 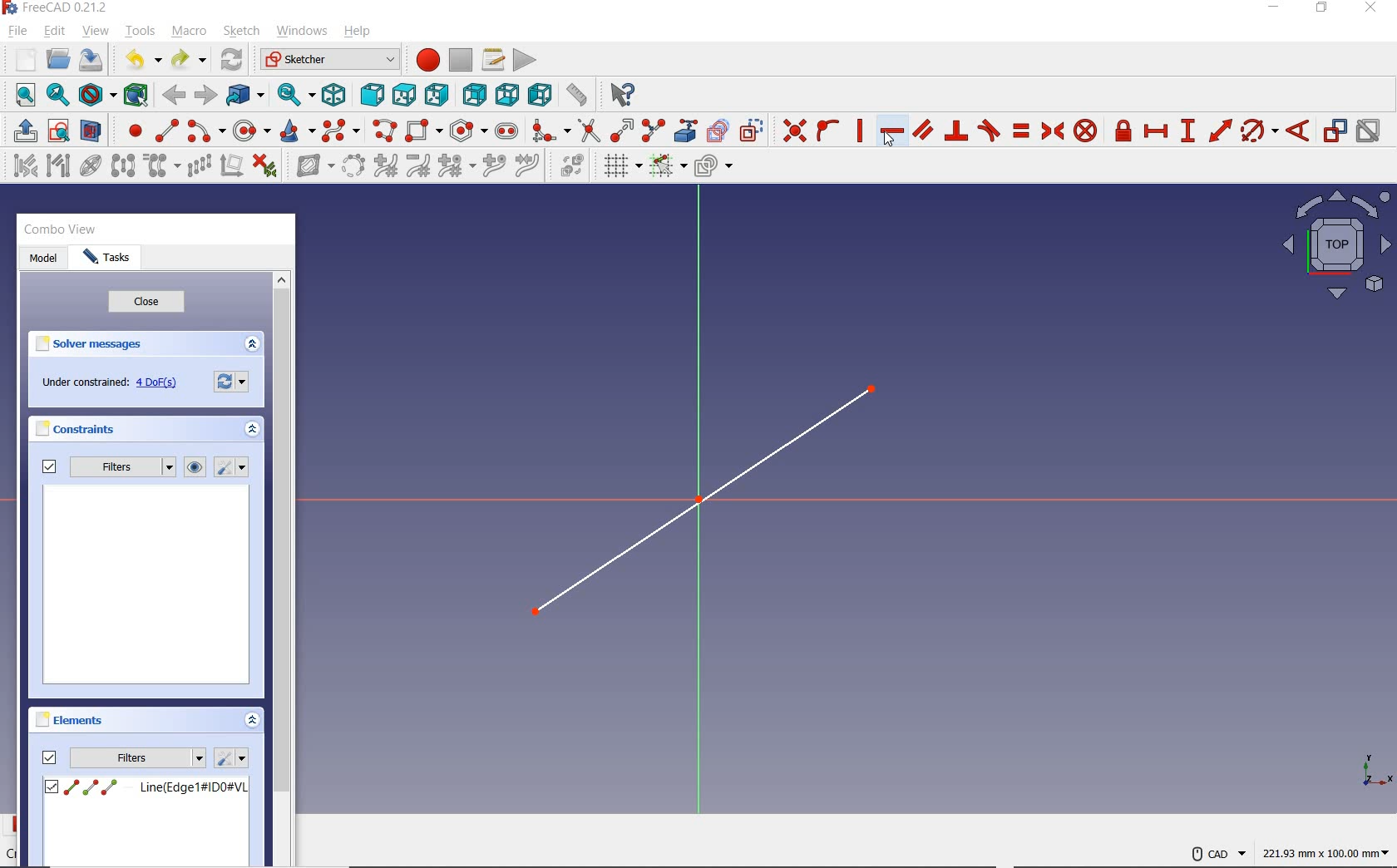 What do you see at coordinates (955, 131) in the screenshot?
I see `CONSTRAIN PERPENDICULAR` at bounding box center [955, 131].